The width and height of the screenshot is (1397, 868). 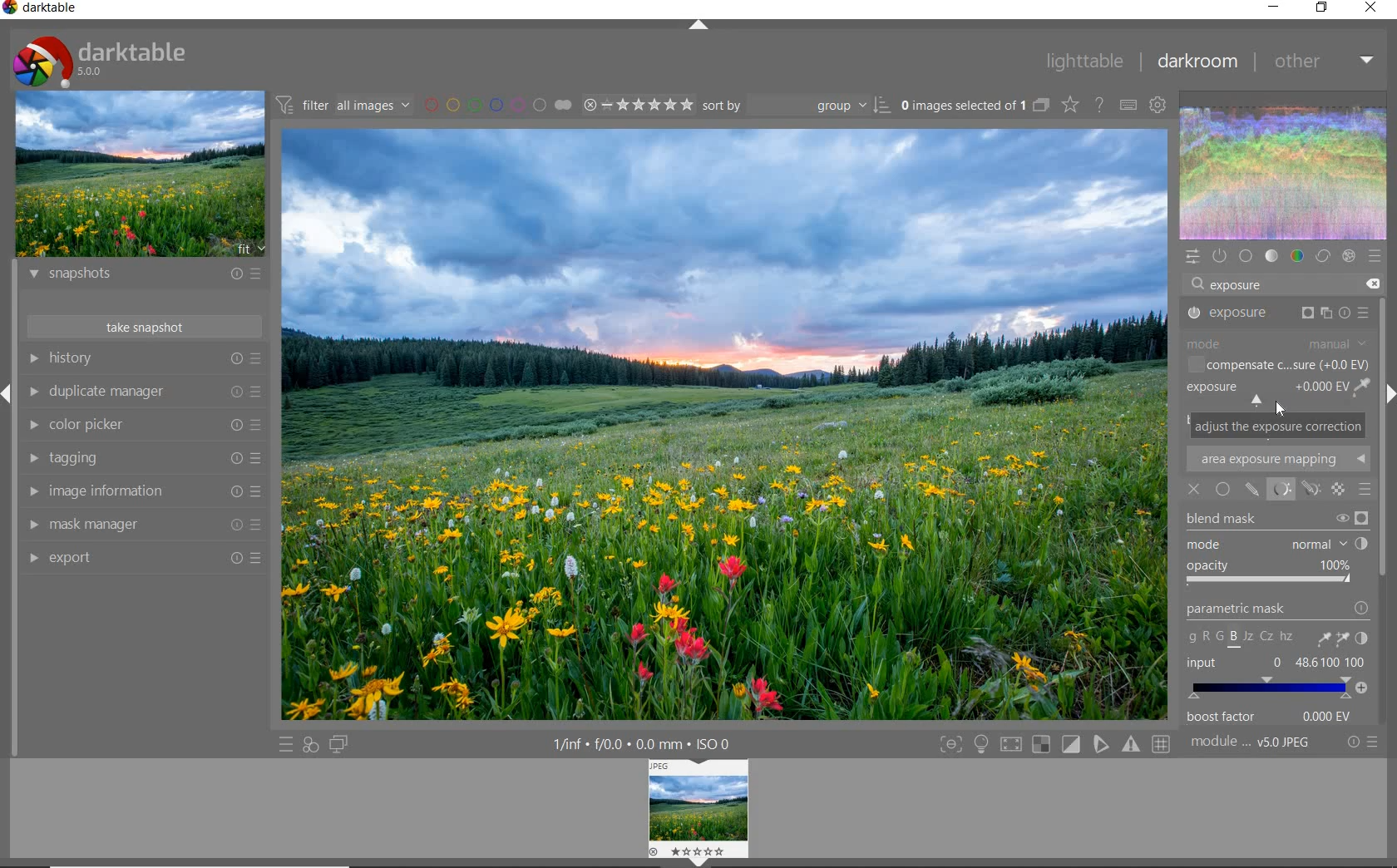 What do you see at coordinates (146, 394) in the screenshot?
I see `duplicate manager` at bounding box center [146, 394].